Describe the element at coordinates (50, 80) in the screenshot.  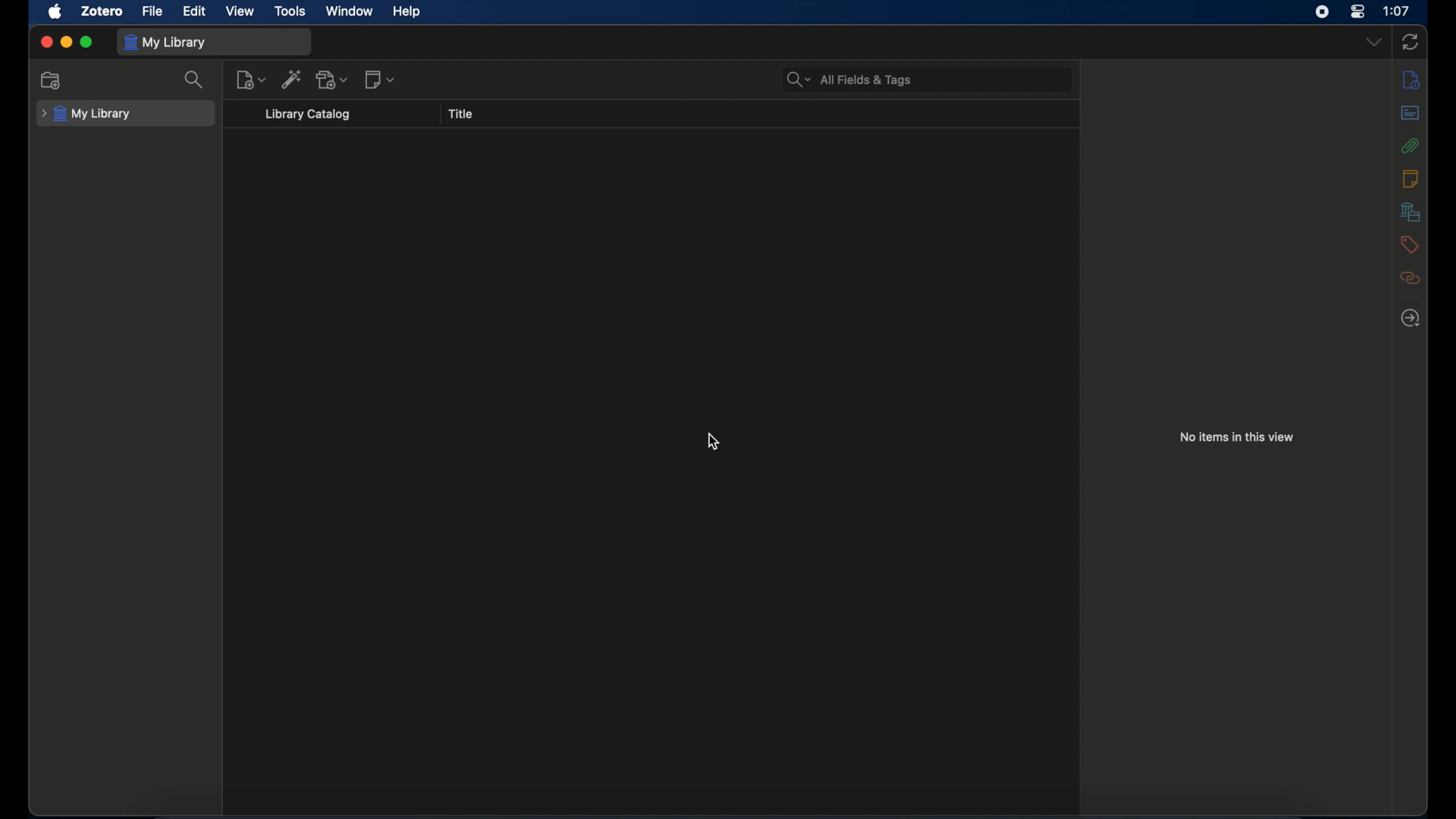
I see `new collection` at that location.